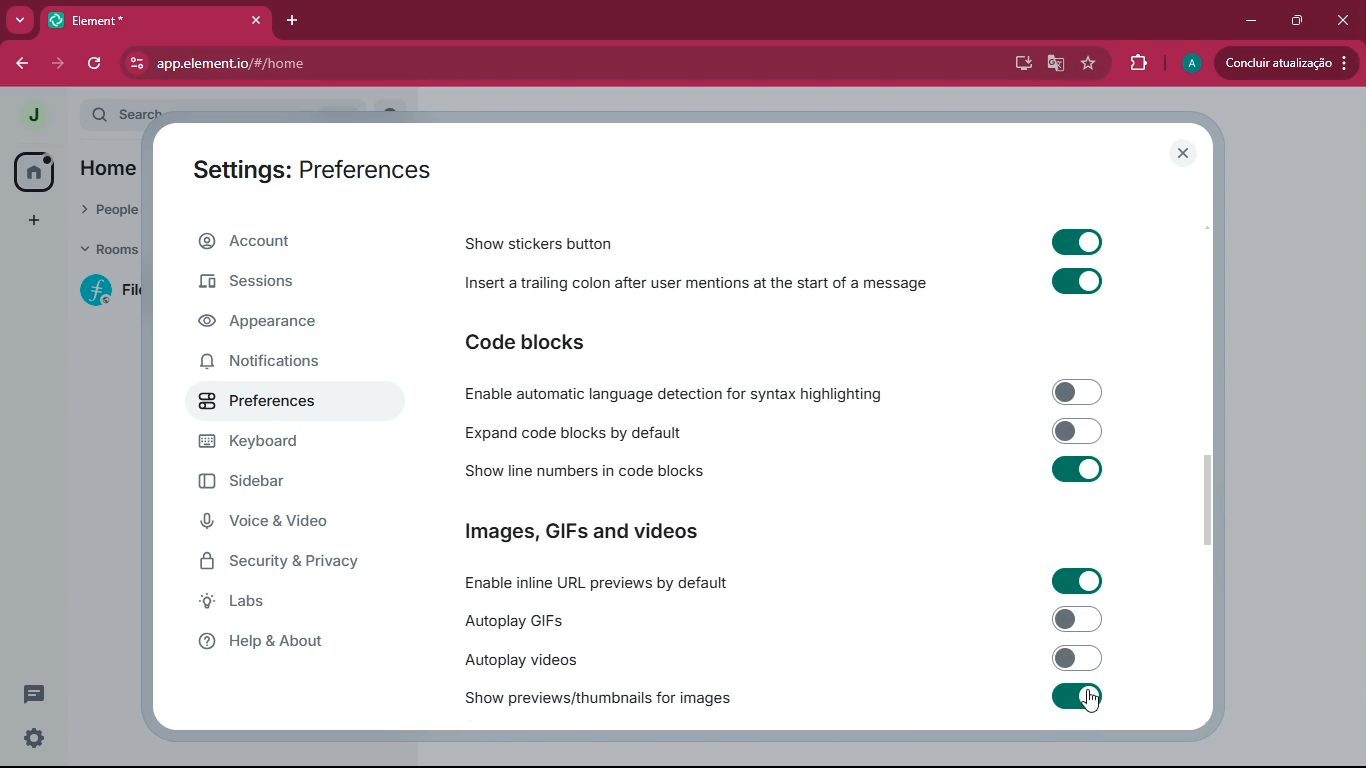 The height and width of the screenshot is (768, 1366). What do you see at coordinates (1092, 702) in the screenshot?
I see `cursor` at bounding box center [1092, 702].